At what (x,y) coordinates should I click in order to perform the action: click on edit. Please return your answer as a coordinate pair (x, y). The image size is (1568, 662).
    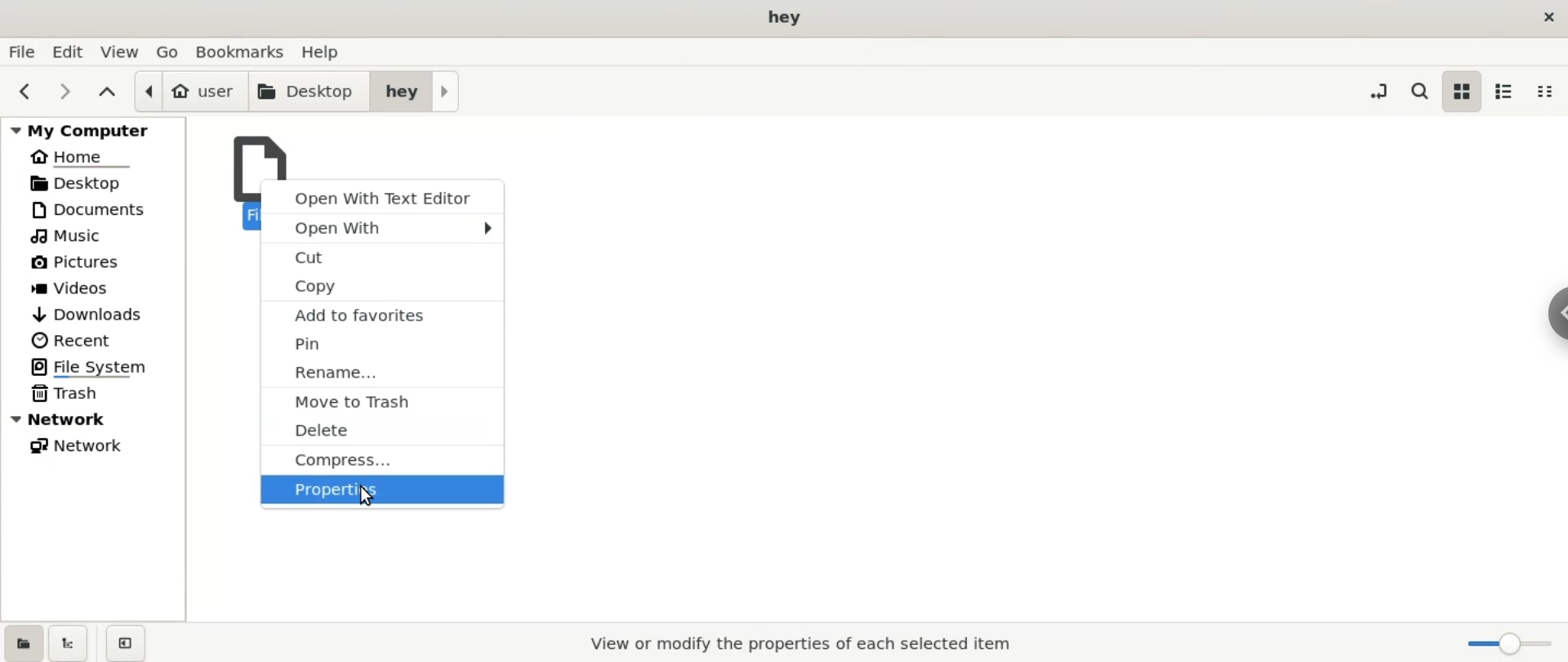
    Looking at the image, I should click on (67, 51).